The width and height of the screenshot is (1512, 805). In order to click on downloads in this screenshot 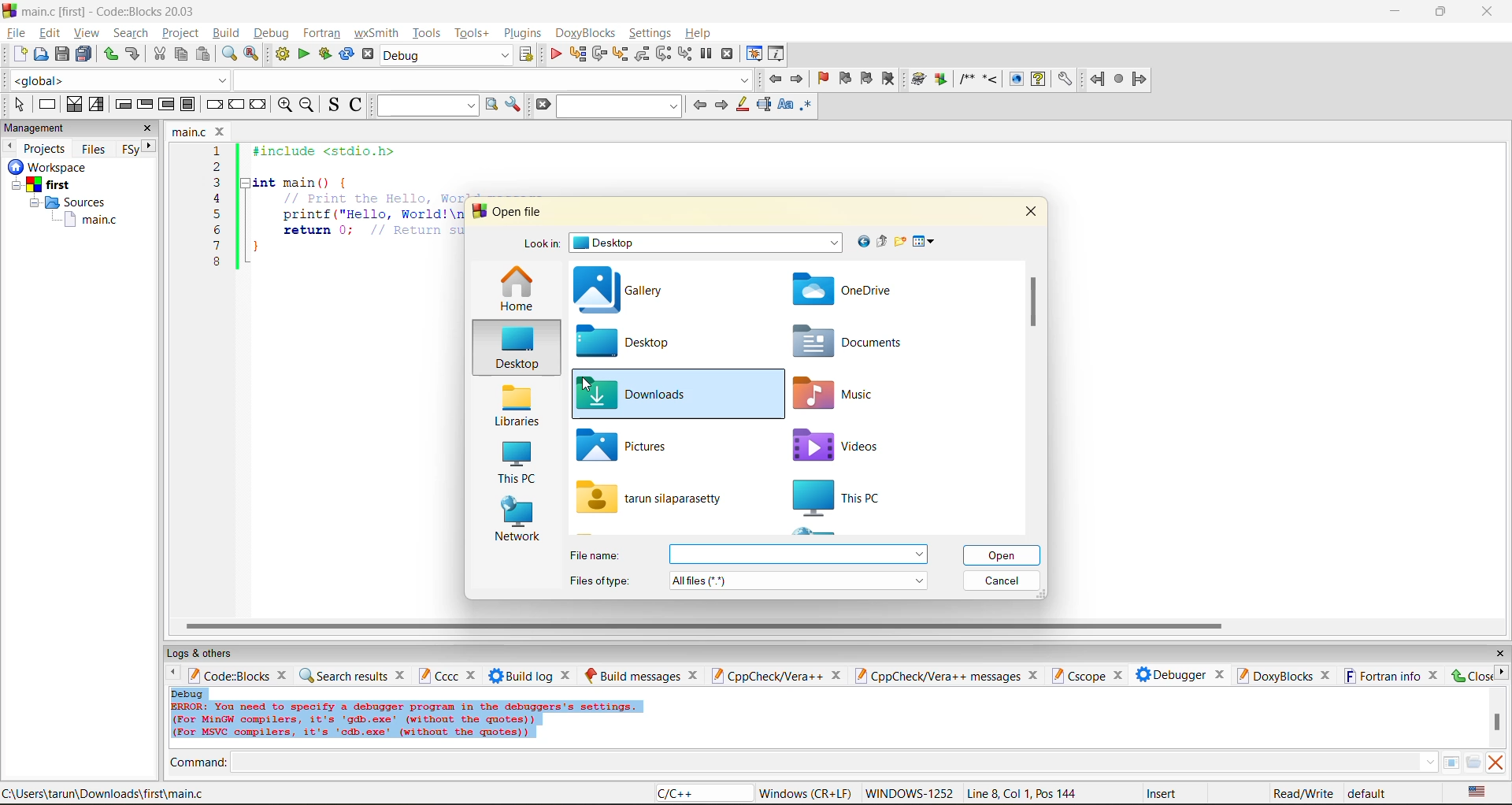, I will do `click(636, 395)`.